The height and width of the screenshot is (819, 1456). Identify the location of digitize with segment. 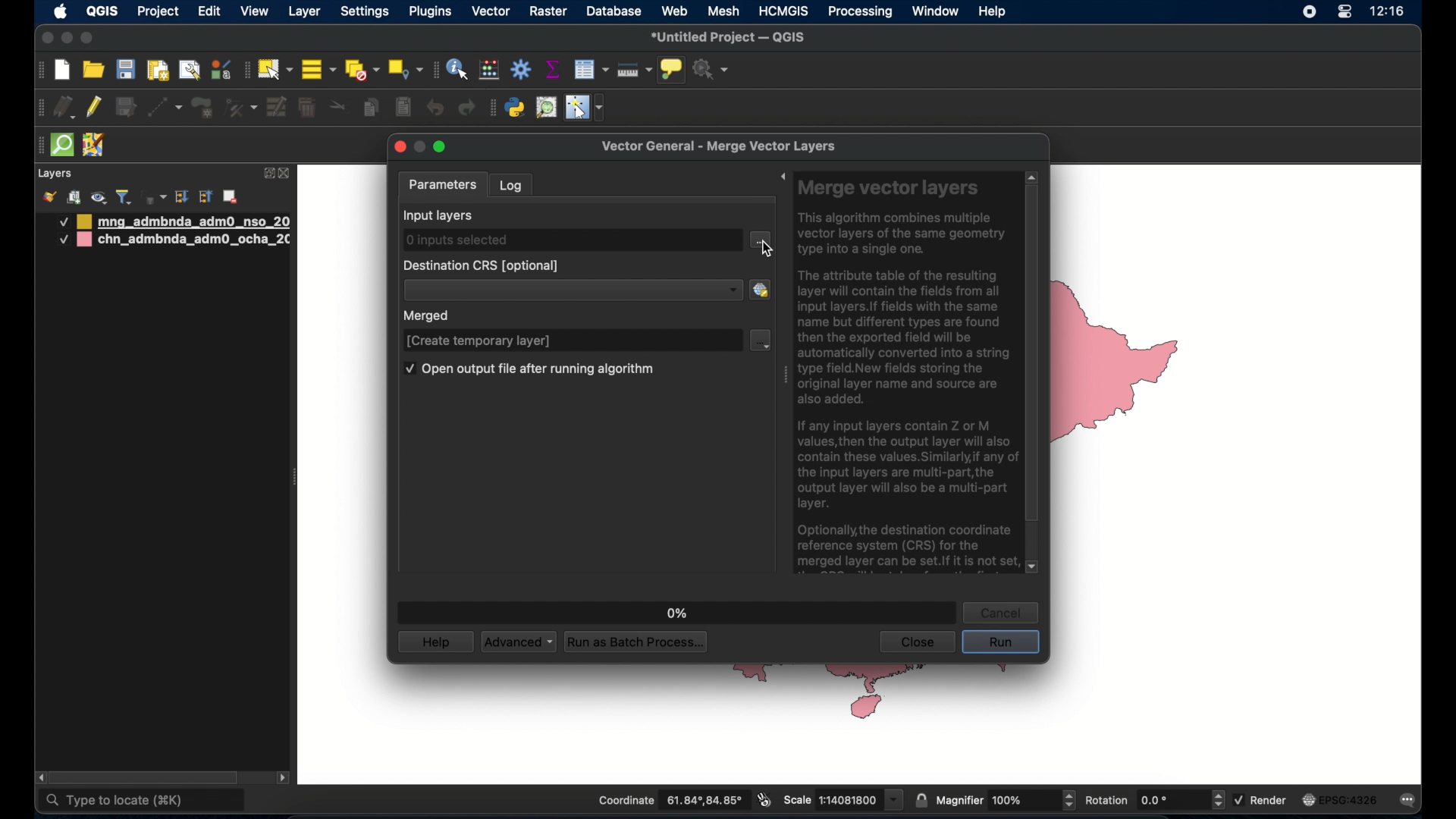
(164, 106).